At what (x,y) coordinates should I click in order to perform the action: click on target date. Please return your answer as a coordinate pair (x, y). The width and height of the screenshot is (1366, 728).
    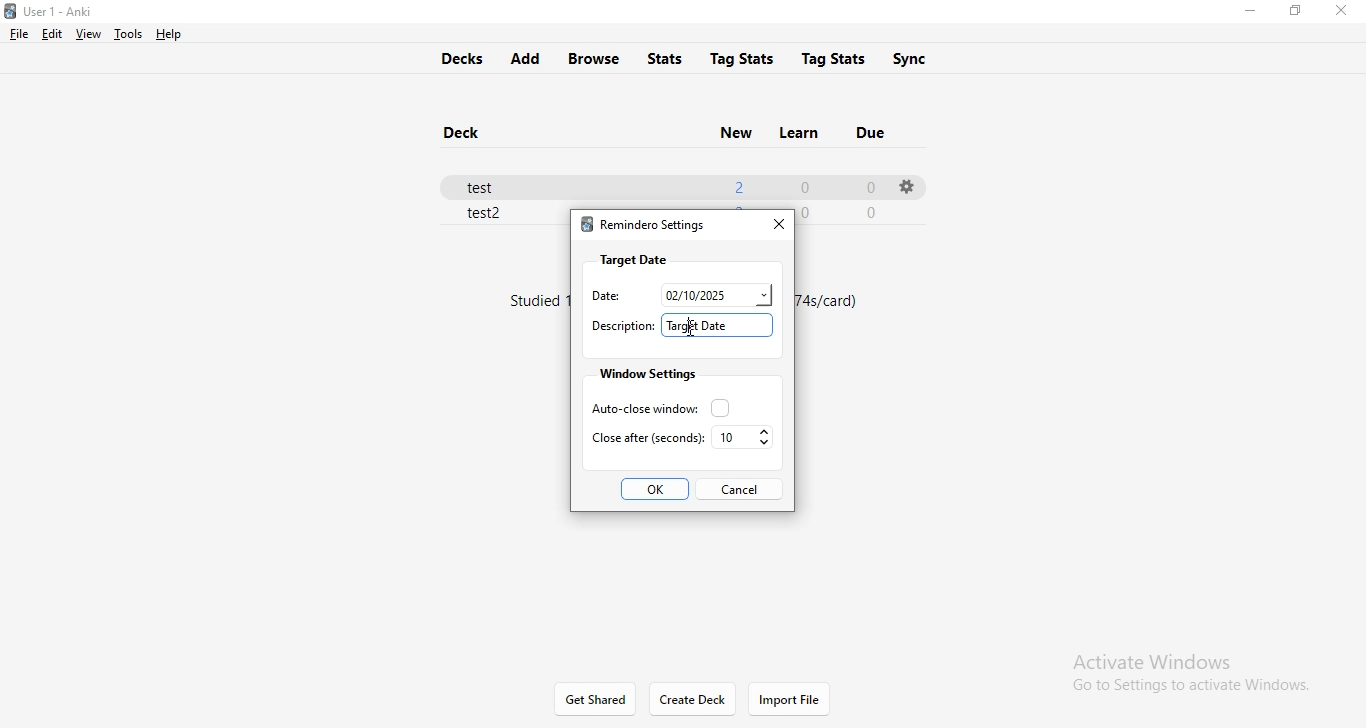
    Looking at the image, I should click on (633, 259).